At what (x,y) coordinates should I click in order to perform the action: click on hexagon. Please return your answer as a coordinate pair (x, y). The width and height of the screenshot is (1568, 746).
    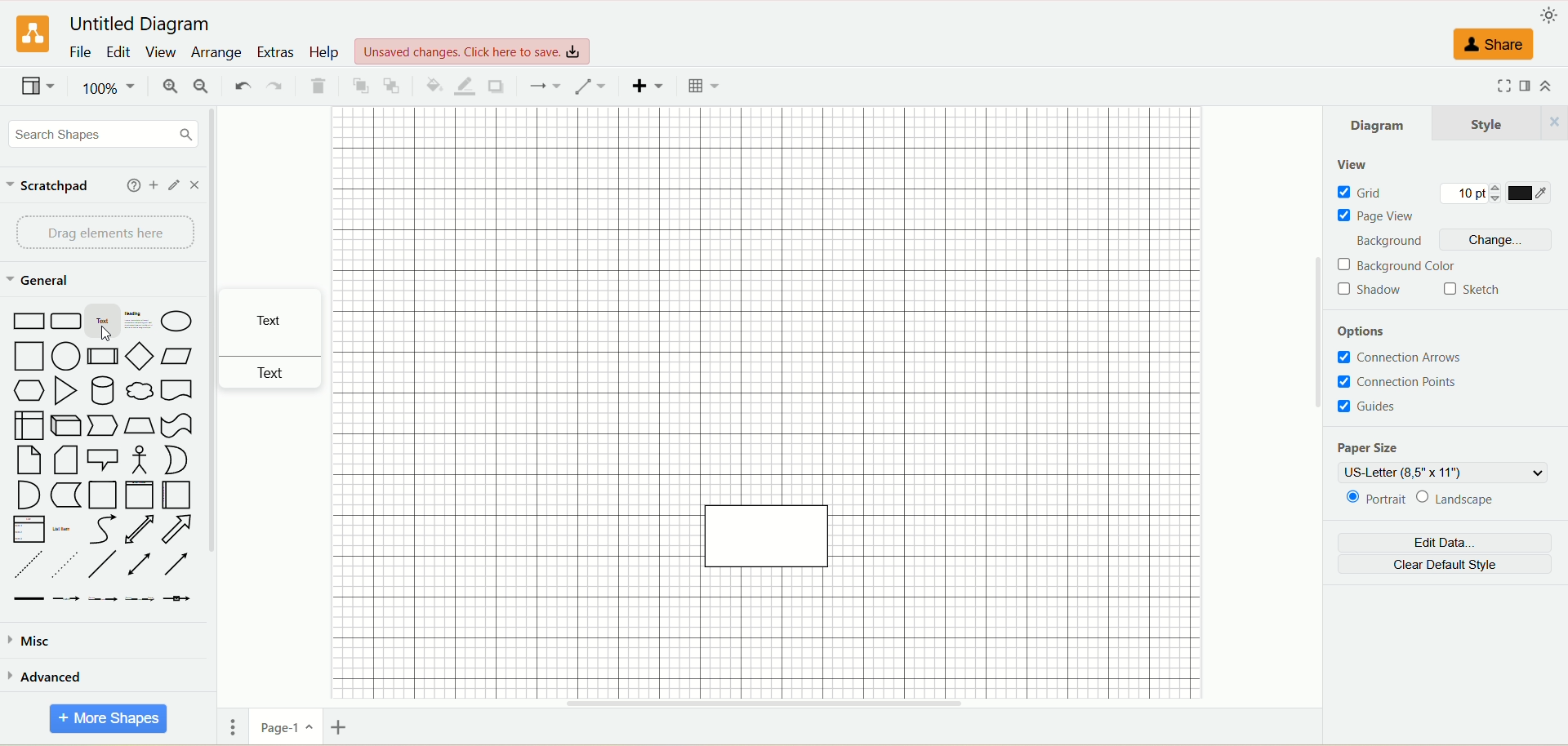
    Looking at the image, I should click on (30, 389).